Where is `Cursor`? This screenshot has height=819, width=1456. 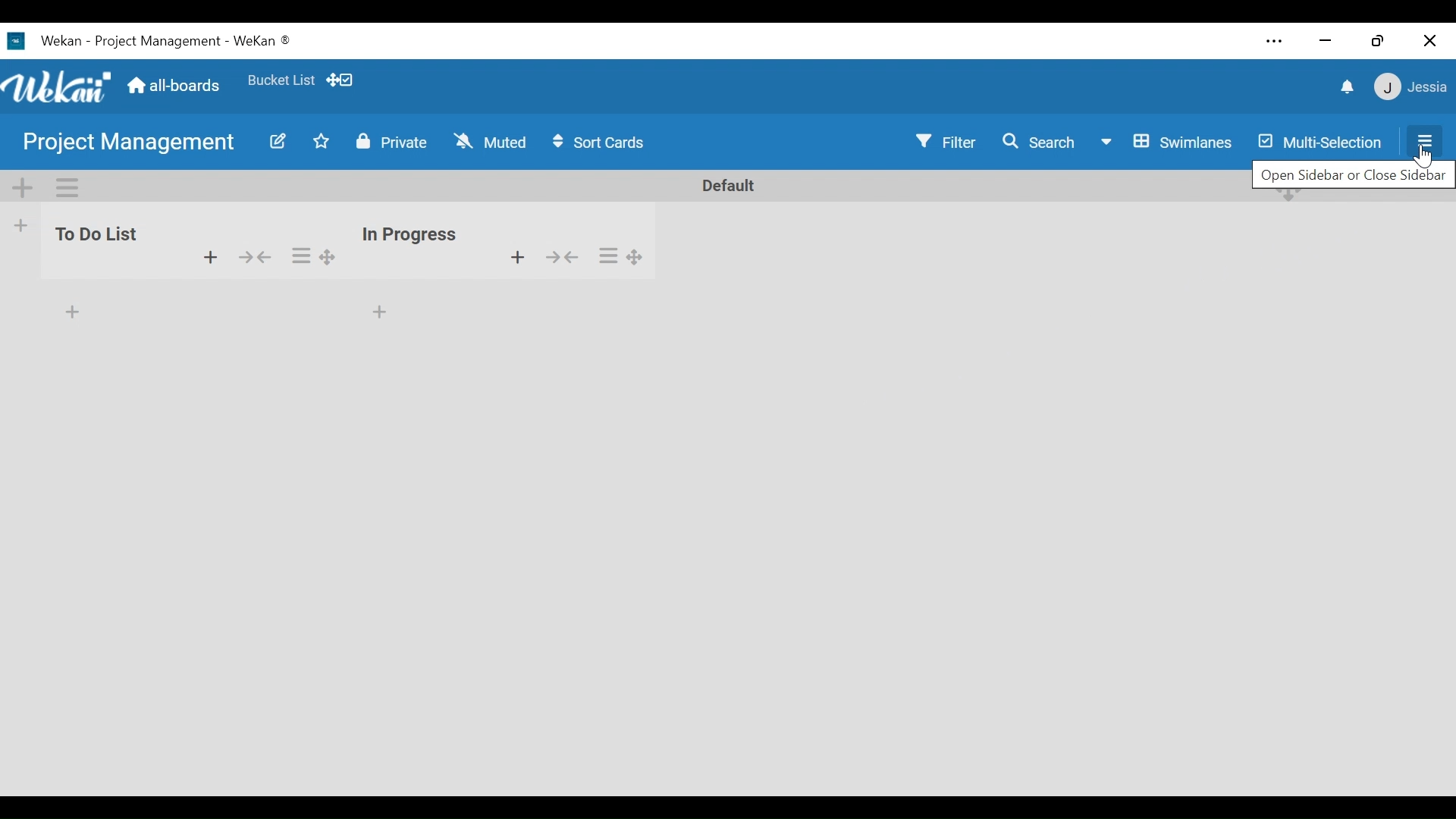 Cursor is located at coordinates (1423, 158).